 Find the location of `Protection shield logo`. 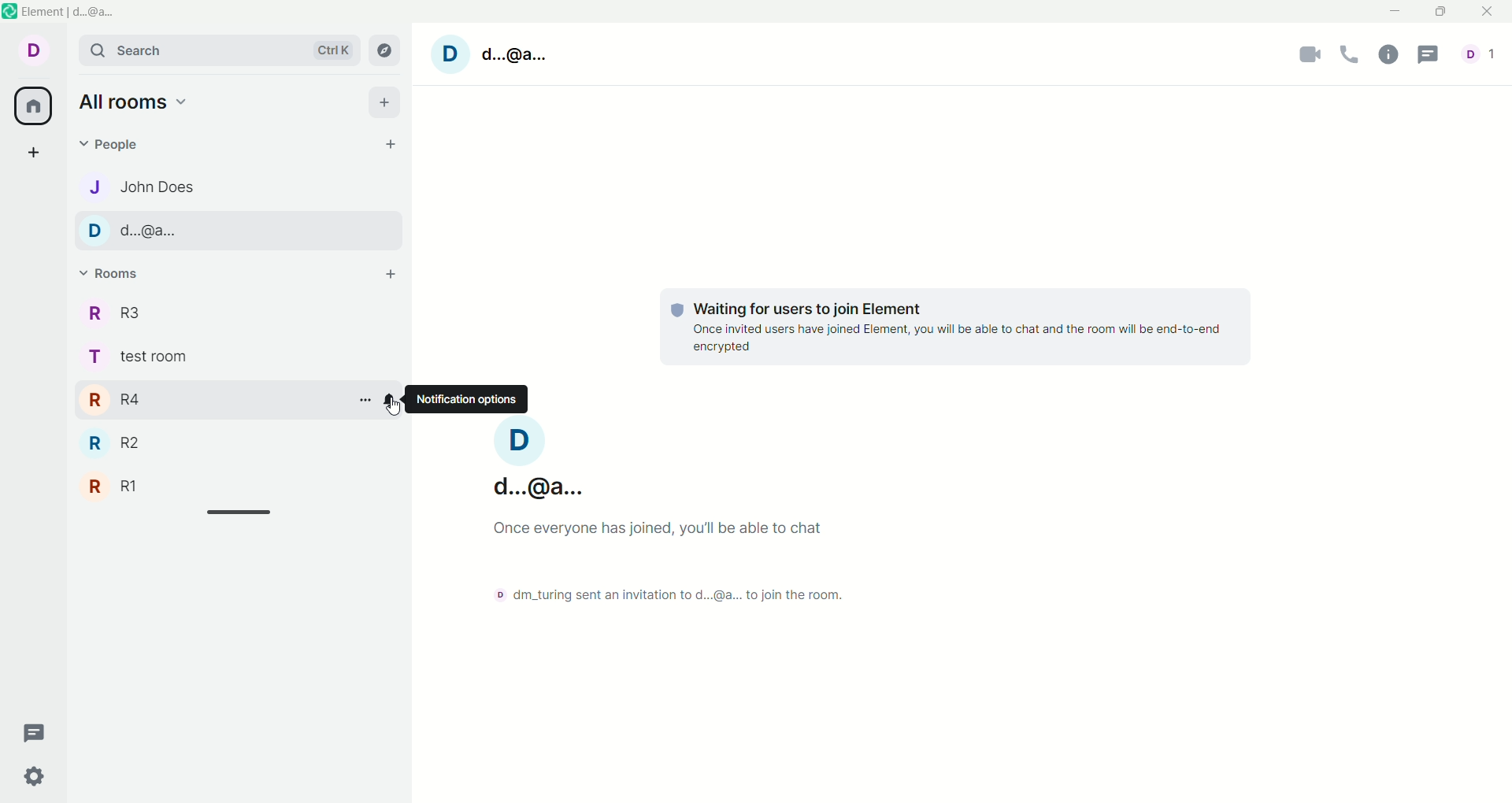

Protection shield logo is located at coordinates (677, 310).